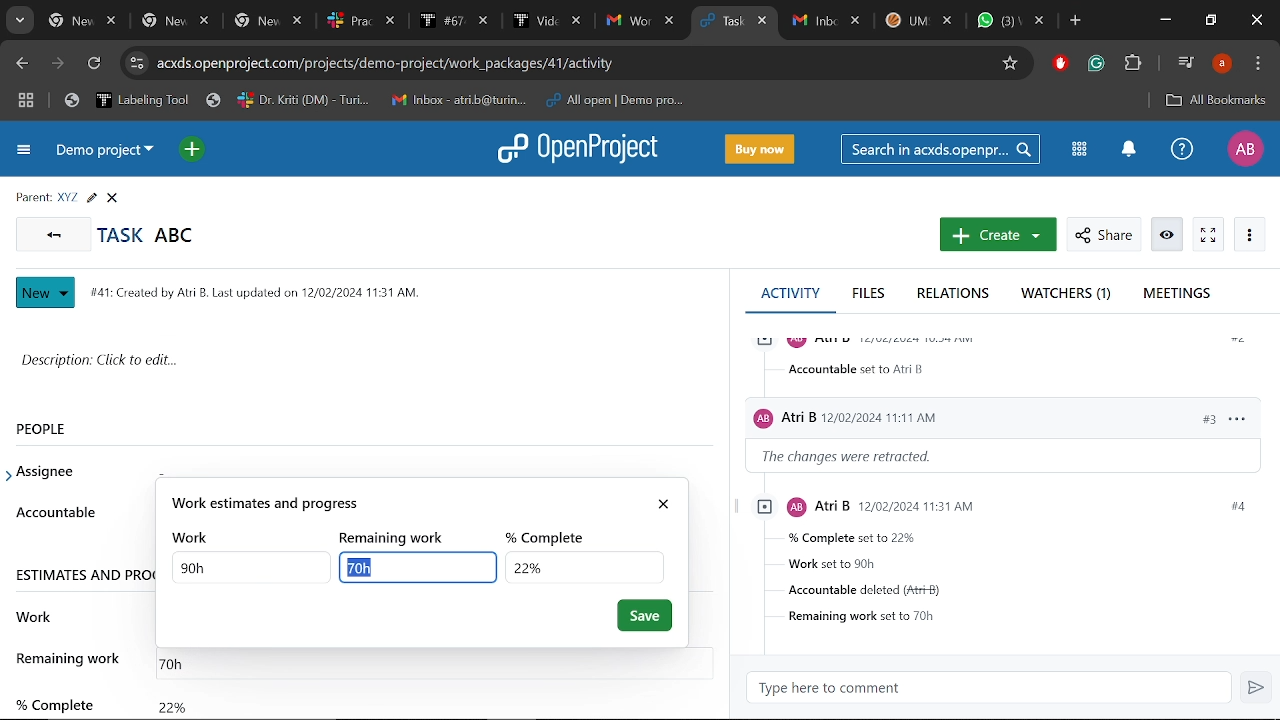 The width and height of the screenshot is (1280, 720). I want to click on Tab groups, so click(26, 102).